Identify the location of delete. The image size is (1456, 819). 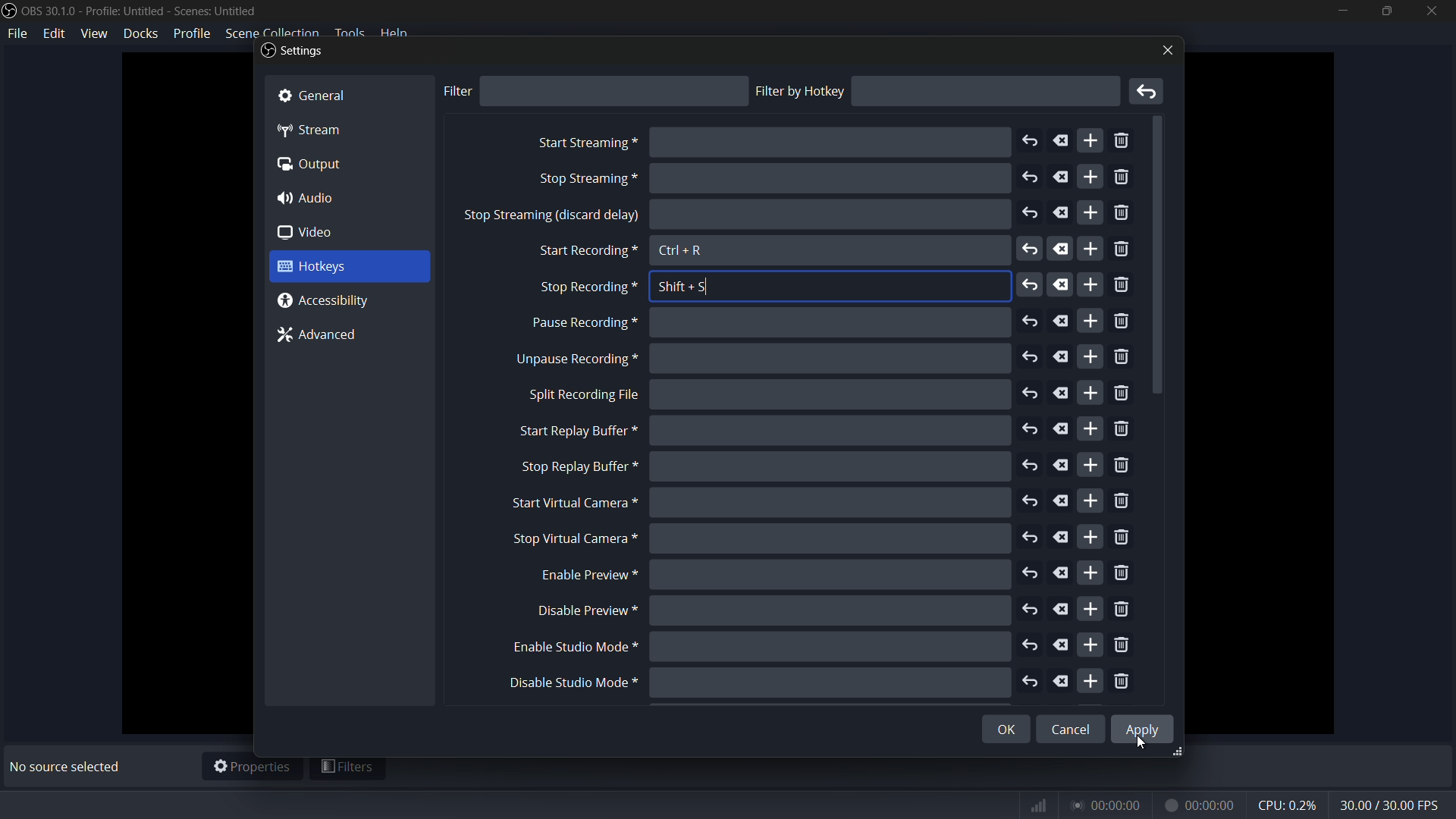
(1061, 285).